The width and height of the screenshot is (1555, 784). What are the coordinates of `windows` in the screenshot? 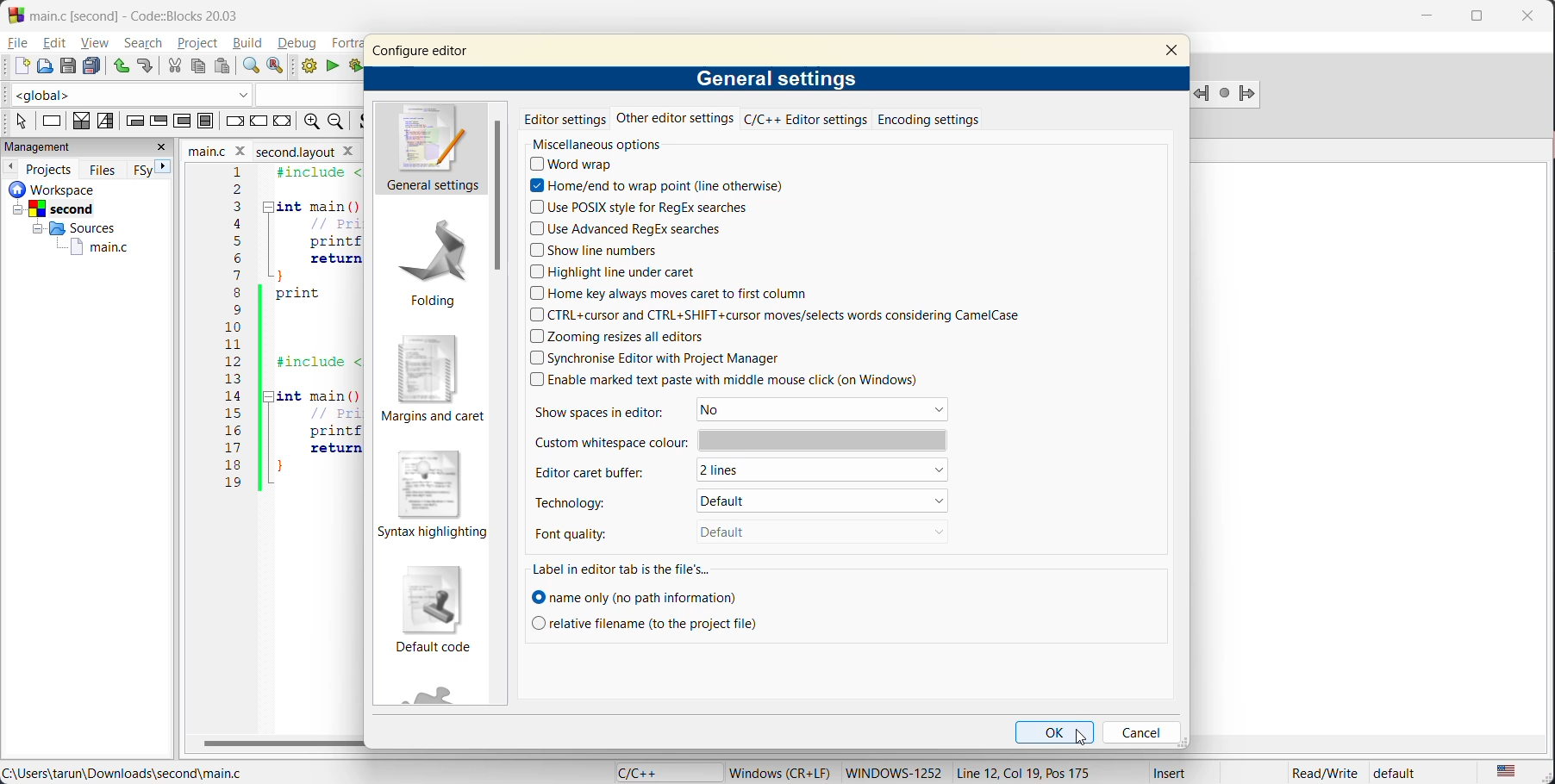 It's located at (891, 772).